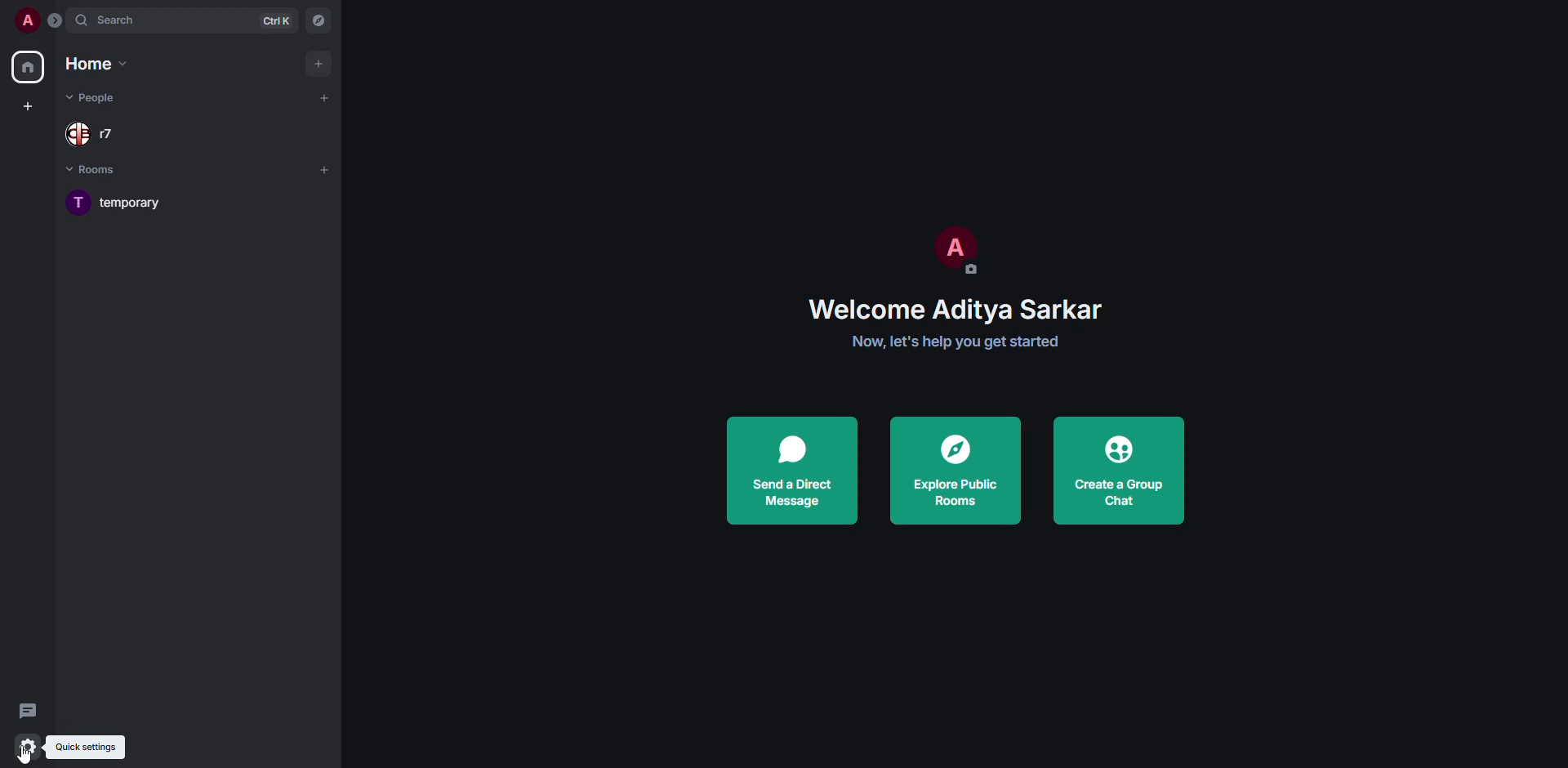 The height and width of the screenshot is (768, 1568). What do you see at coordinates (329, 170) in the screenshot?
I see `add` at bounding box center [329, 170].